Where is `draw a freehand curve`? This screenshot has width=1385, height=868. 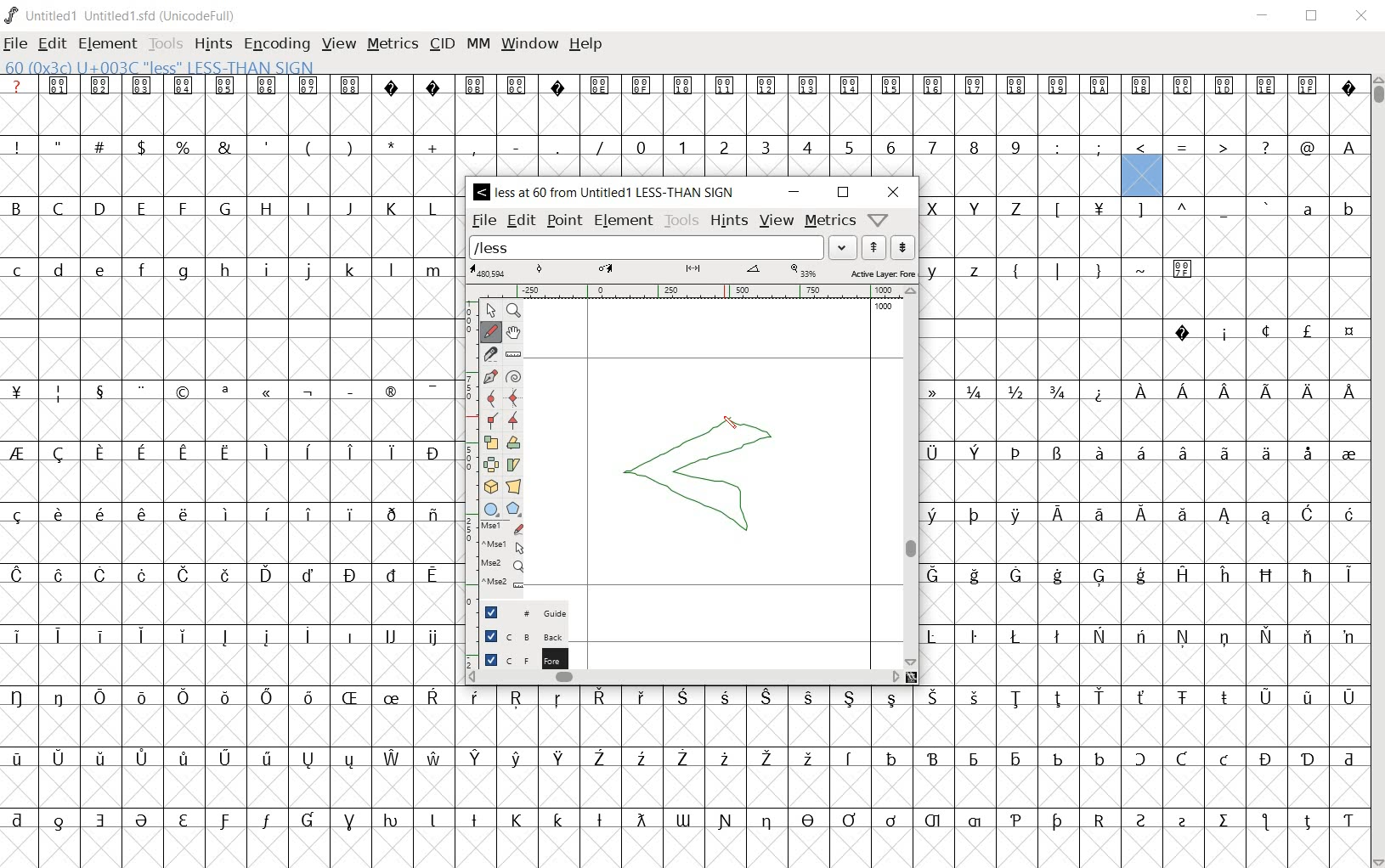
draw a freehand curve is located at coordinates (491, 331).